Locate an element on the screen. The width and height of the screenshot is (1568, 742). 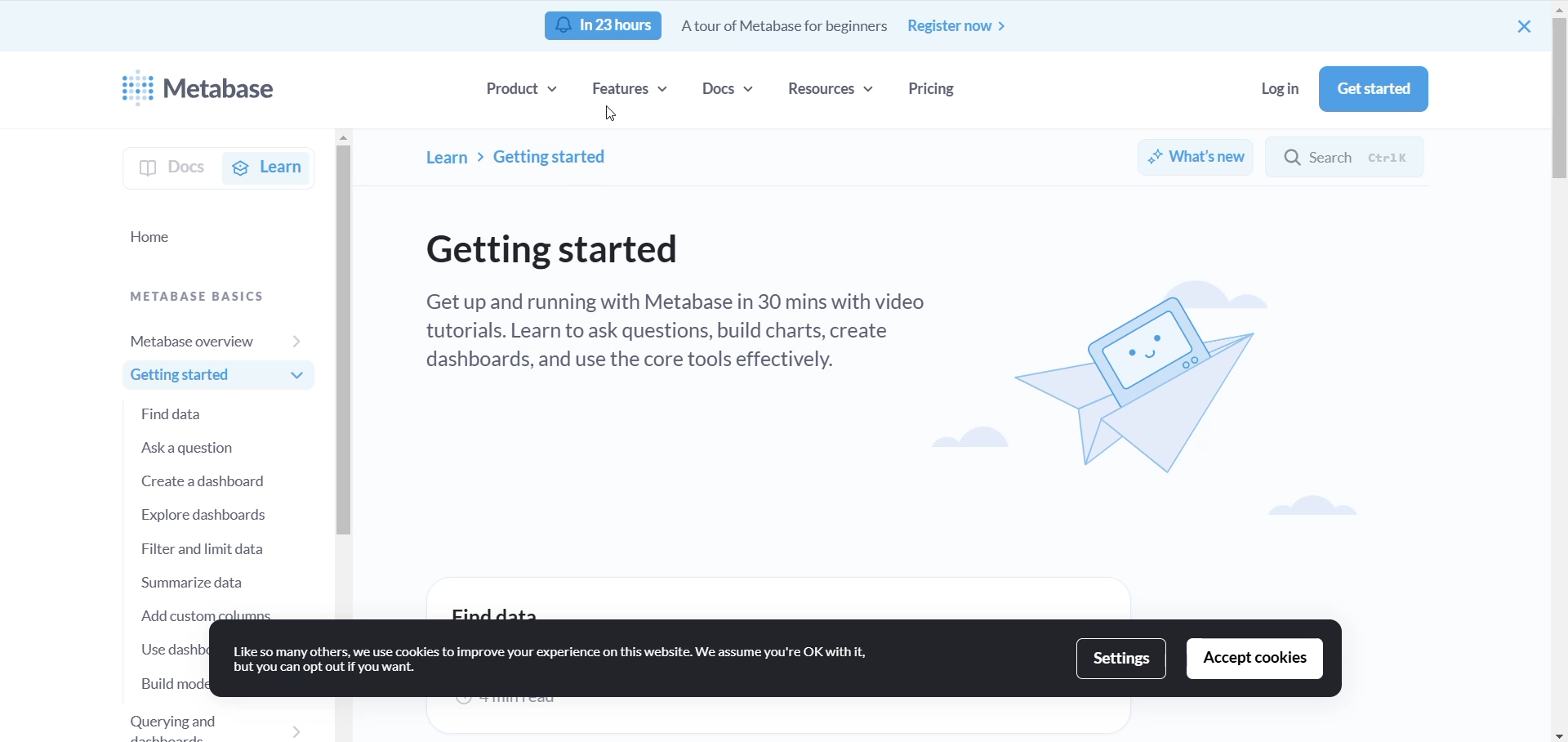
find data is located at coordinates (494, 611).